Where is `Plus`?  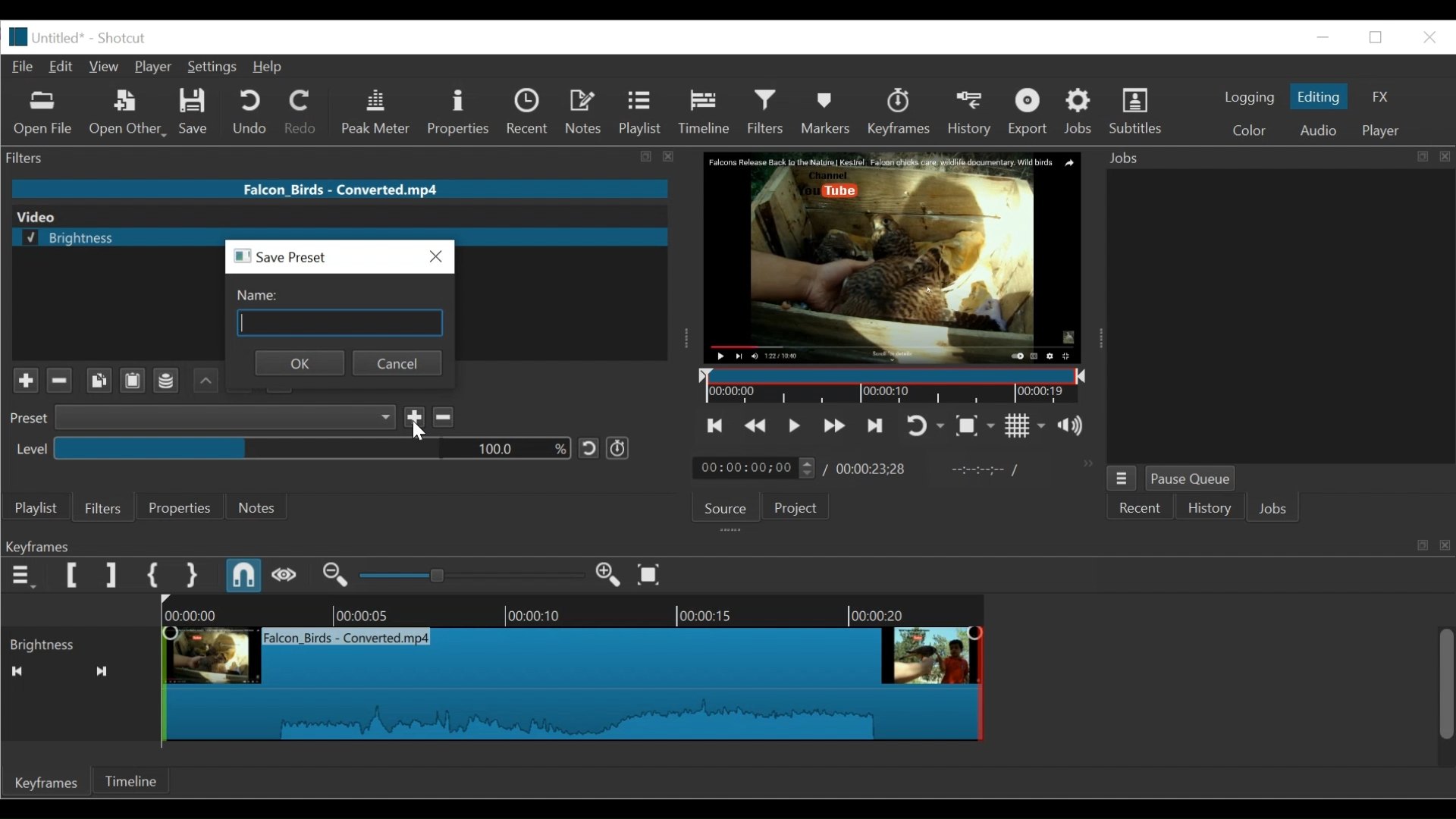 Plus is located at coordinates (20, 377).